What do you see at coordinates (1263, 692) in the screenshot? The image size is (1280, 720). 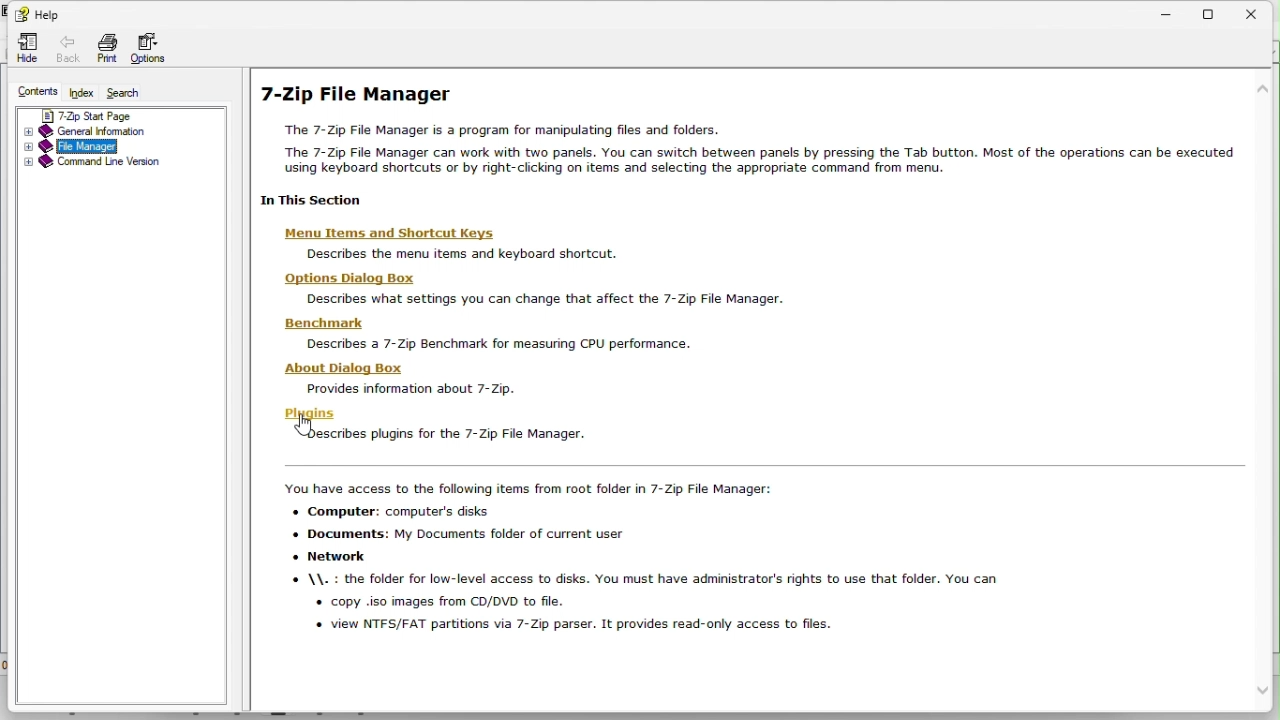 I see `scroll down` at bounding box center [1263, 692].